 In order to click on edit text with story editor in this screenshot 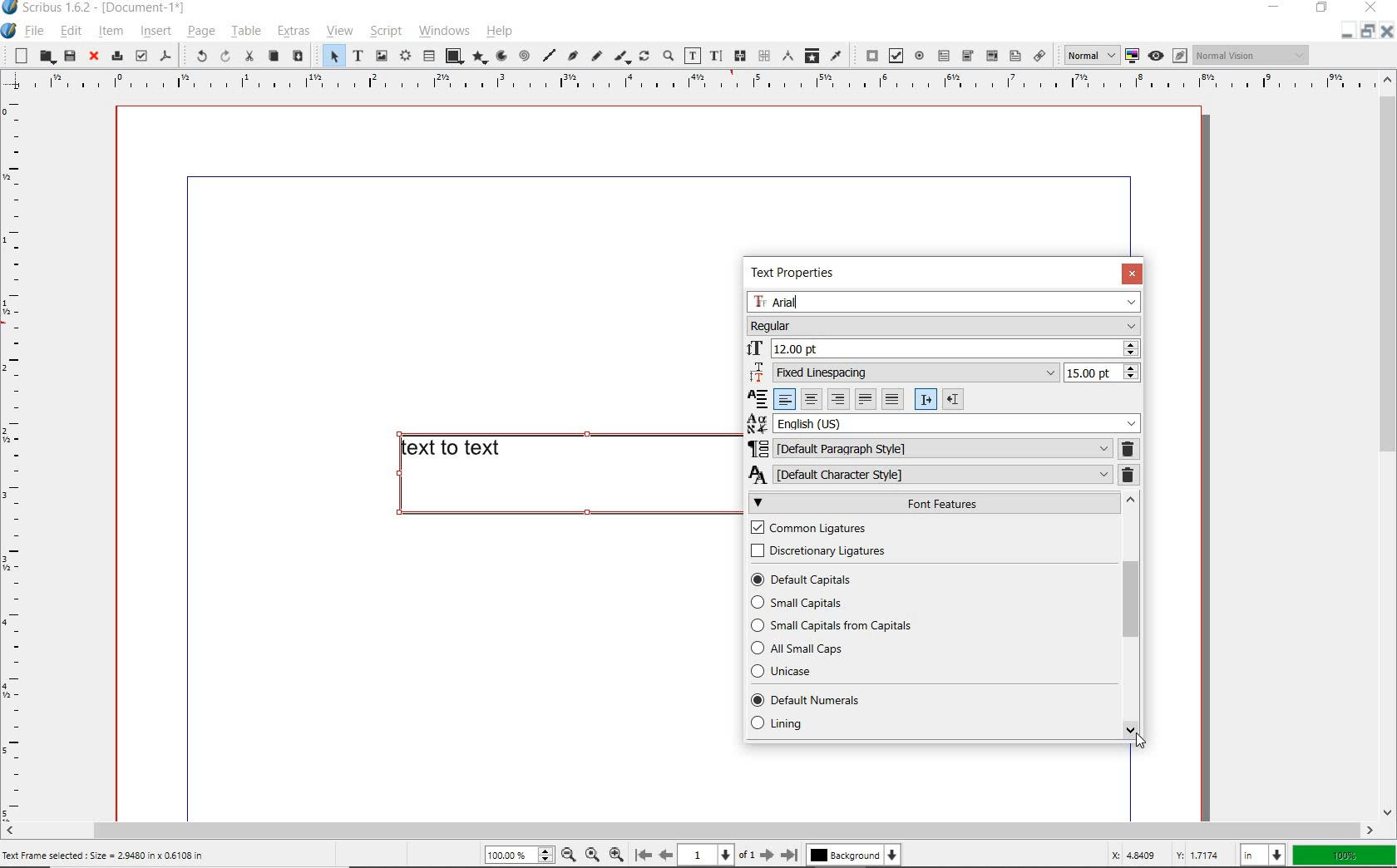, I will do `click(715, 56)`.